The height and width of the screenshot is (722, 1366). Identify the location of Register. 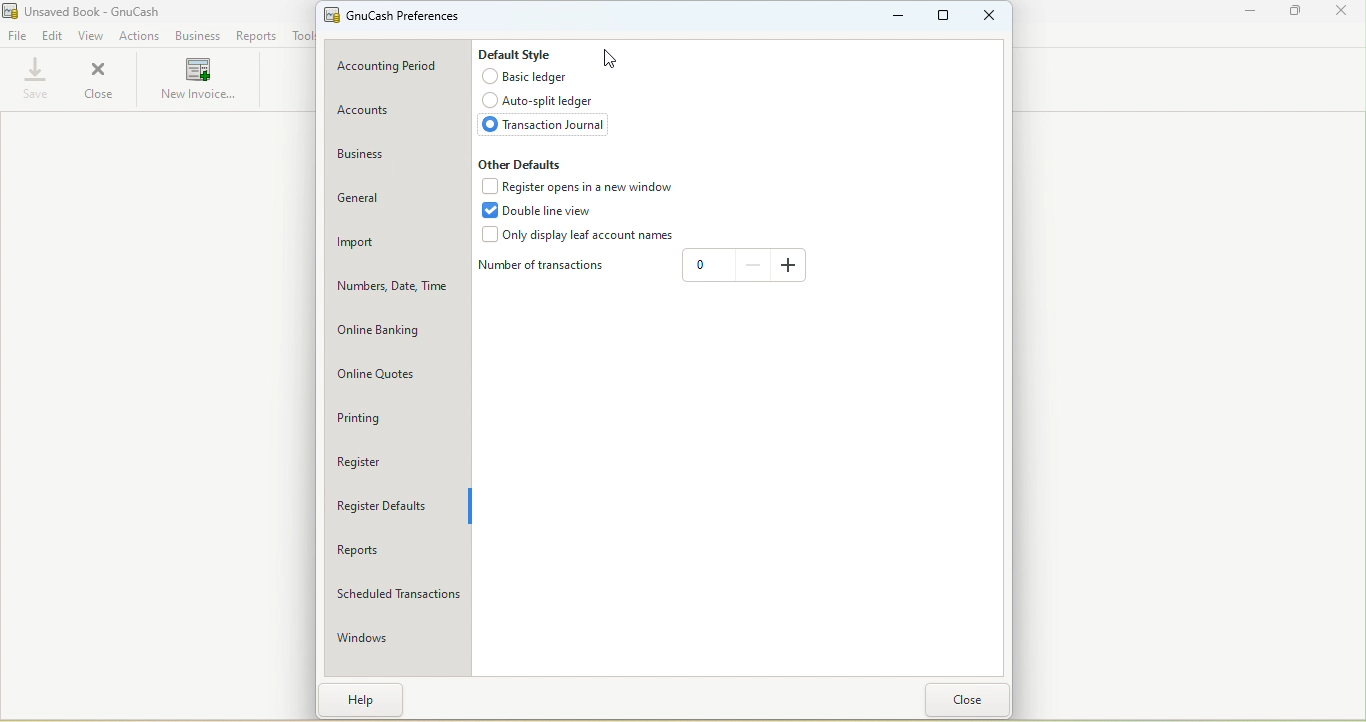
(399, 467).